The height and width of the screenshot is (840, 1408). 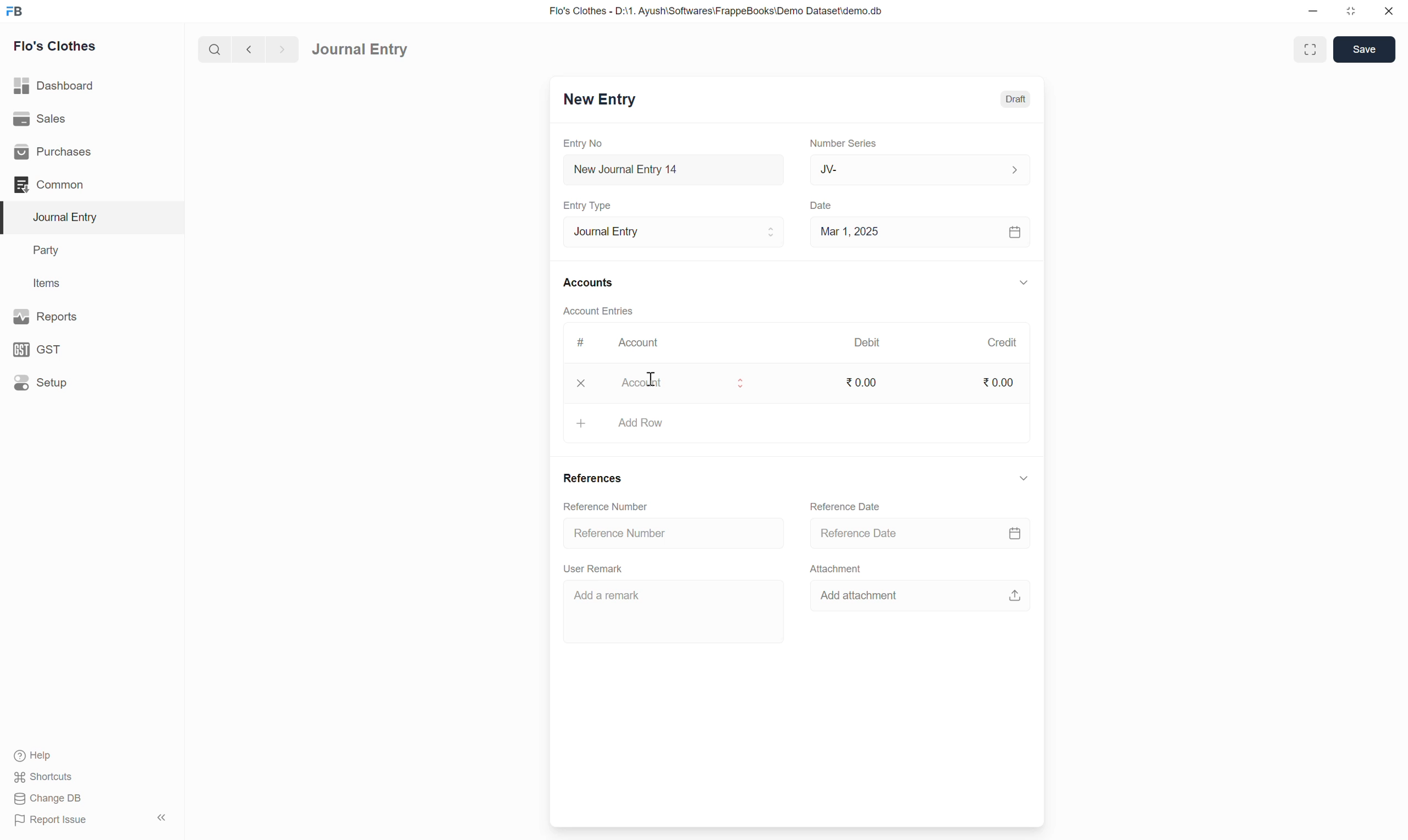 What do you see at coordinates (862, 532) in the screenshot?
I see `Reference Date` at bounding box center [862, 532].